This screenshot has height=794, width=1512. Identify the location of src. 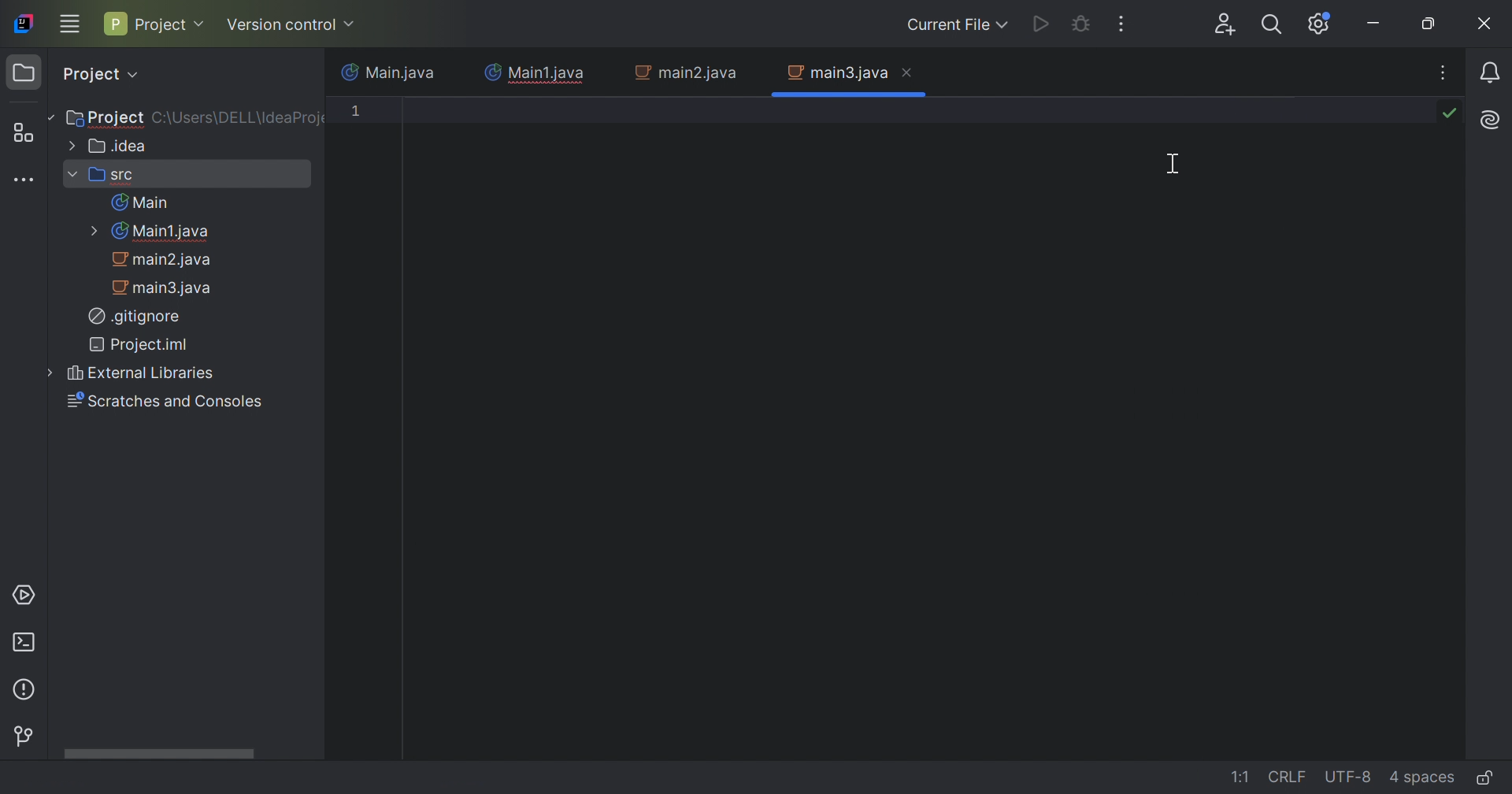
(102, 173).